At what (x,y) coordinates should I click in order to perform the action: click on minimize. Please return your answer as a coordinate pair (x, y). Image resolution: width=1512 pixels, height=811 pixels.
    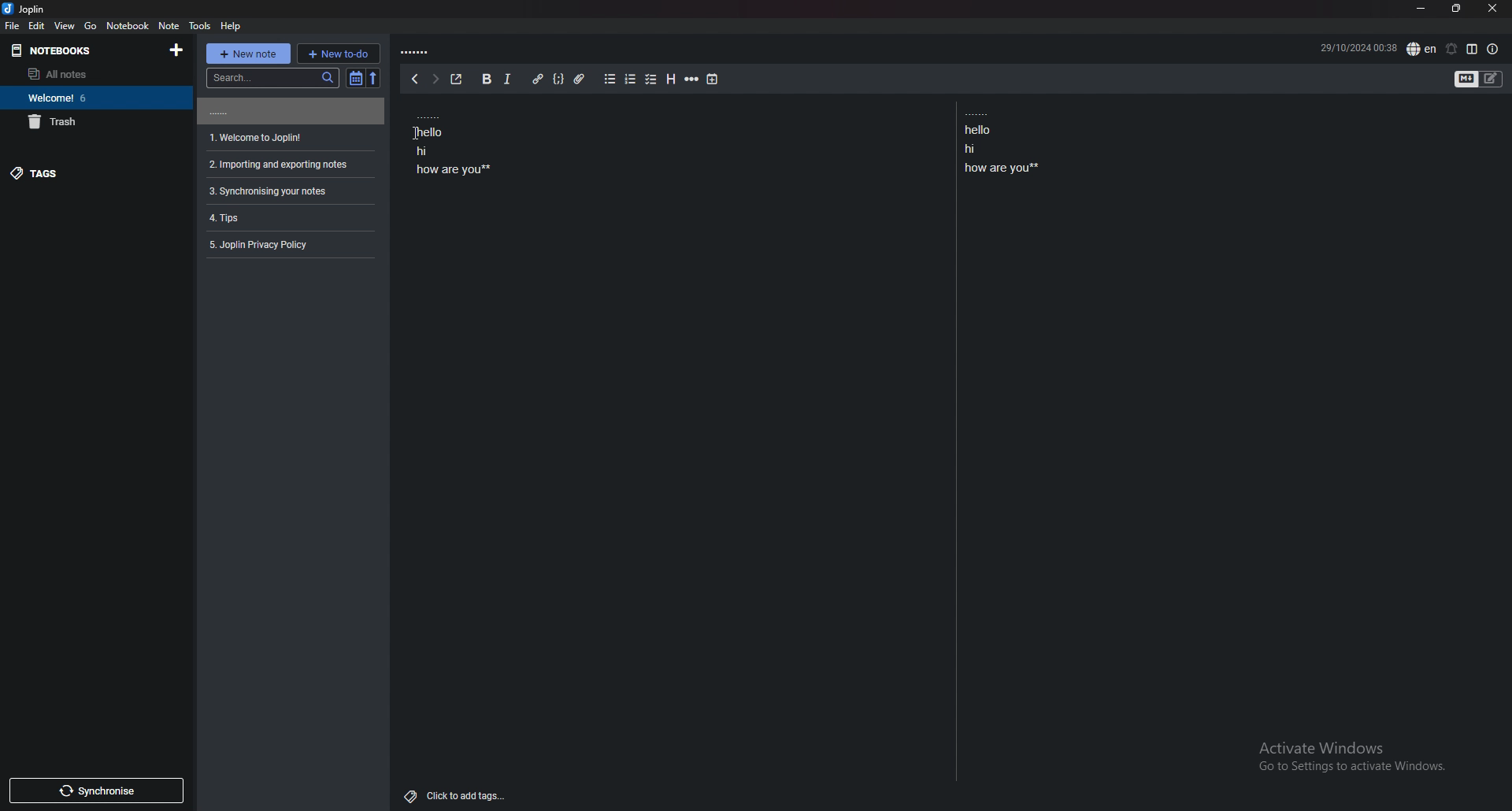
    Looking at the image, I should click on (1422, 9).